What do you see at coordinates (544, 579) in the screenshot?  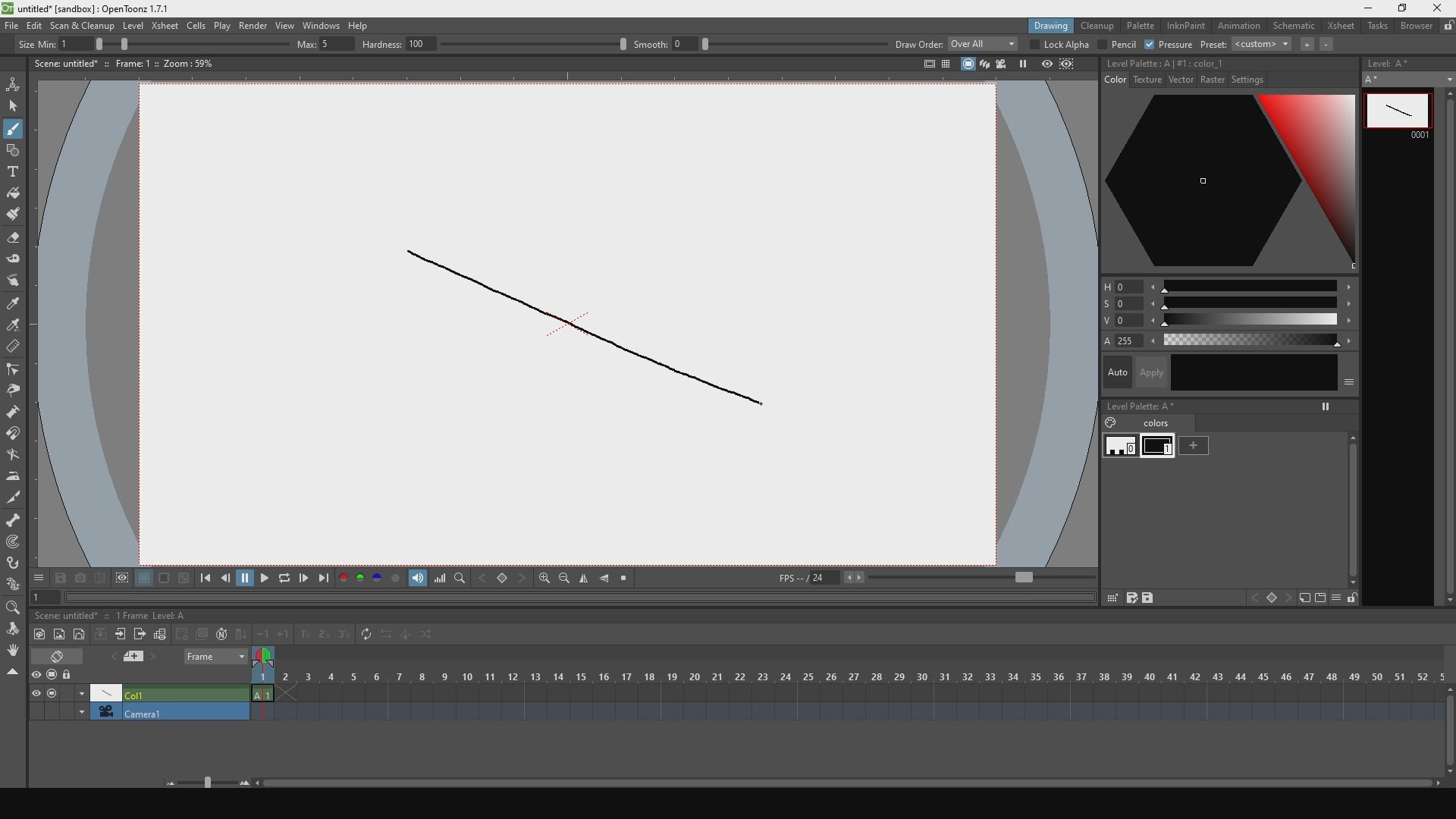 I see `zoom in` at bounding box center [544, 579].